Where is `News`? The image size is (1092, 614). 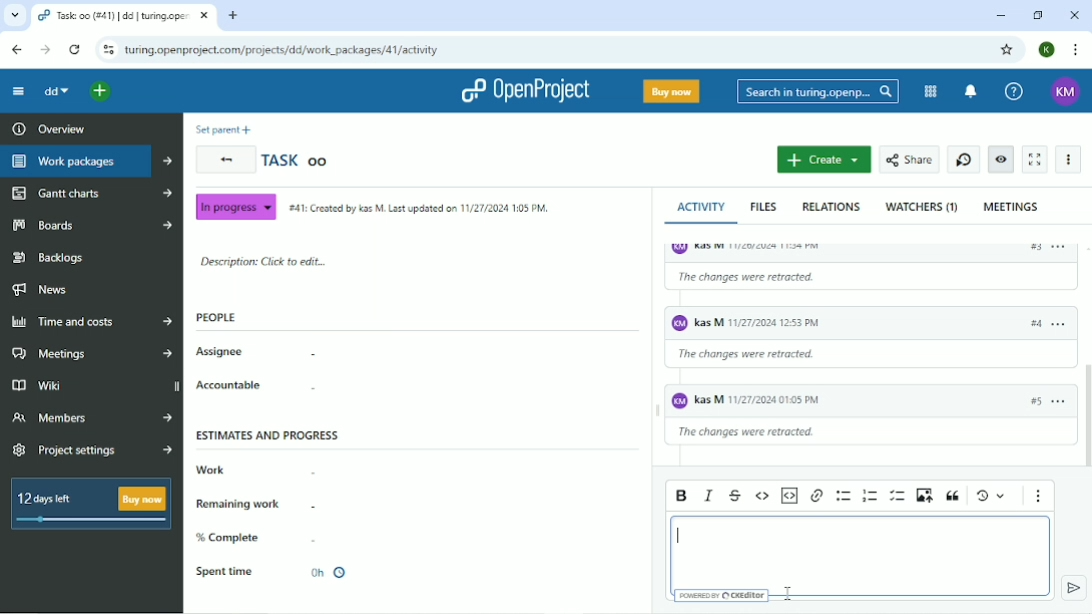 News is located at coordinates (40, 290).